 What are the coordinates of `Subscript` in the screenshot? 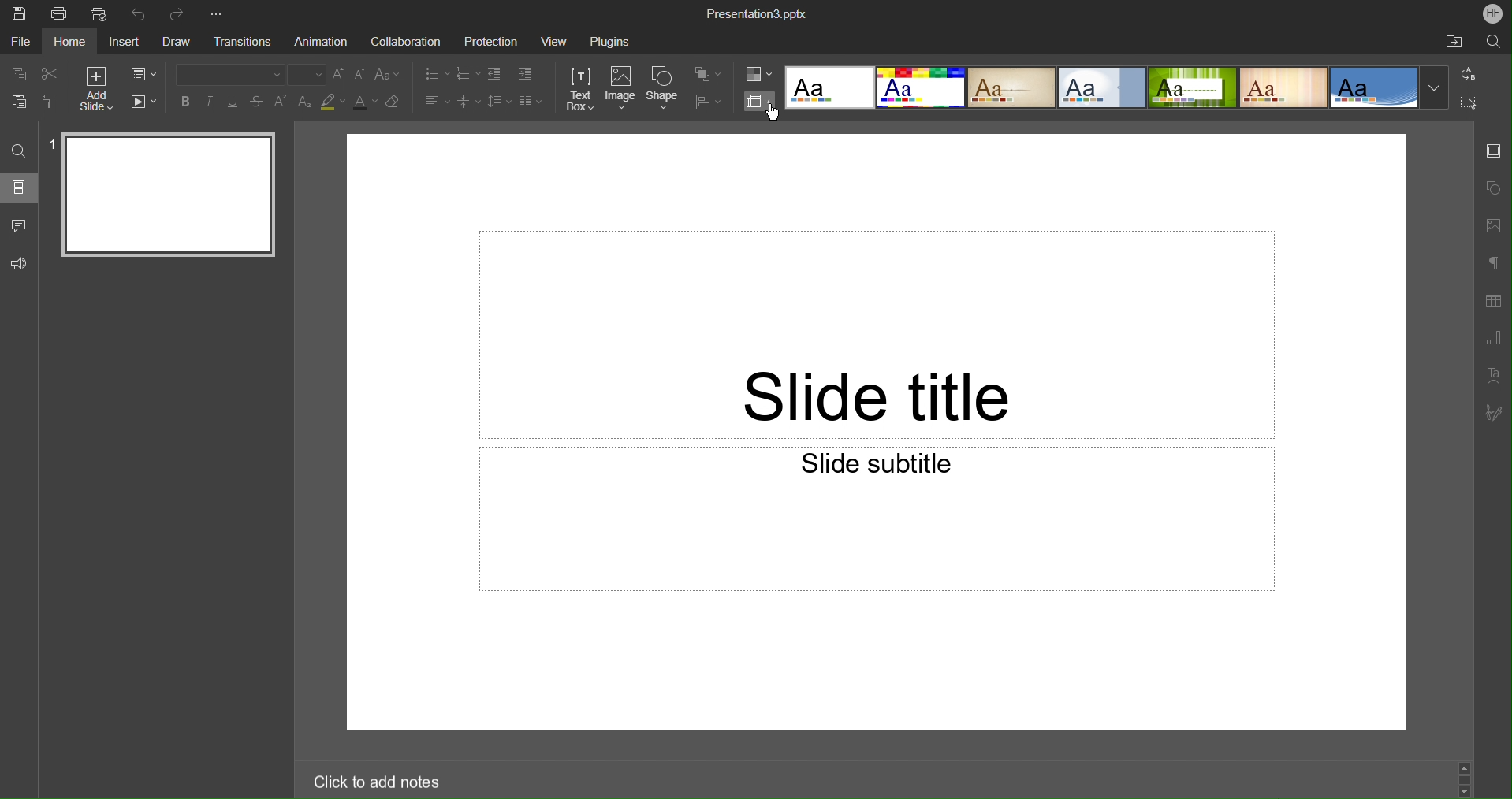 It's located at (304, 102).